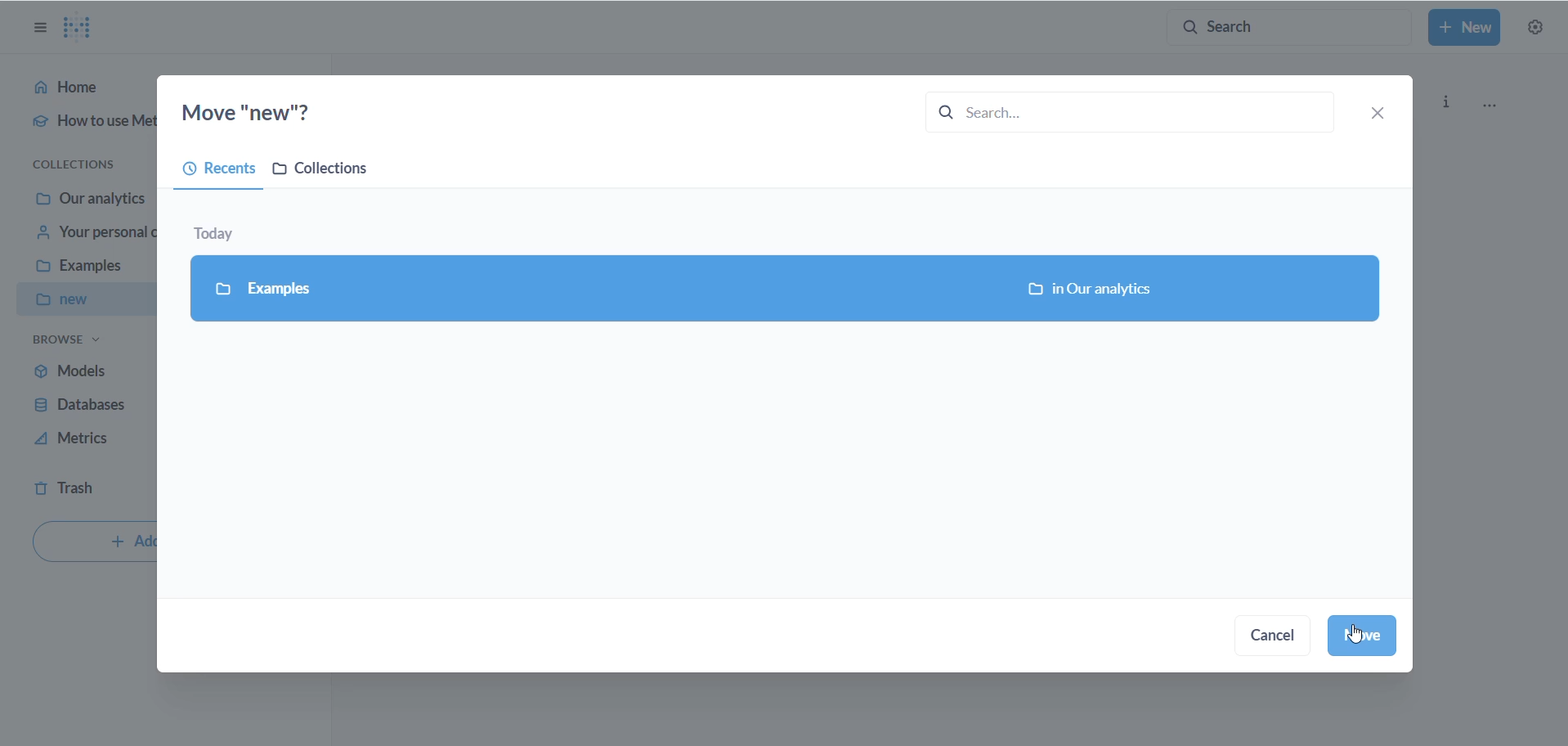  I want to click on SELECTED, so click(785, 290).